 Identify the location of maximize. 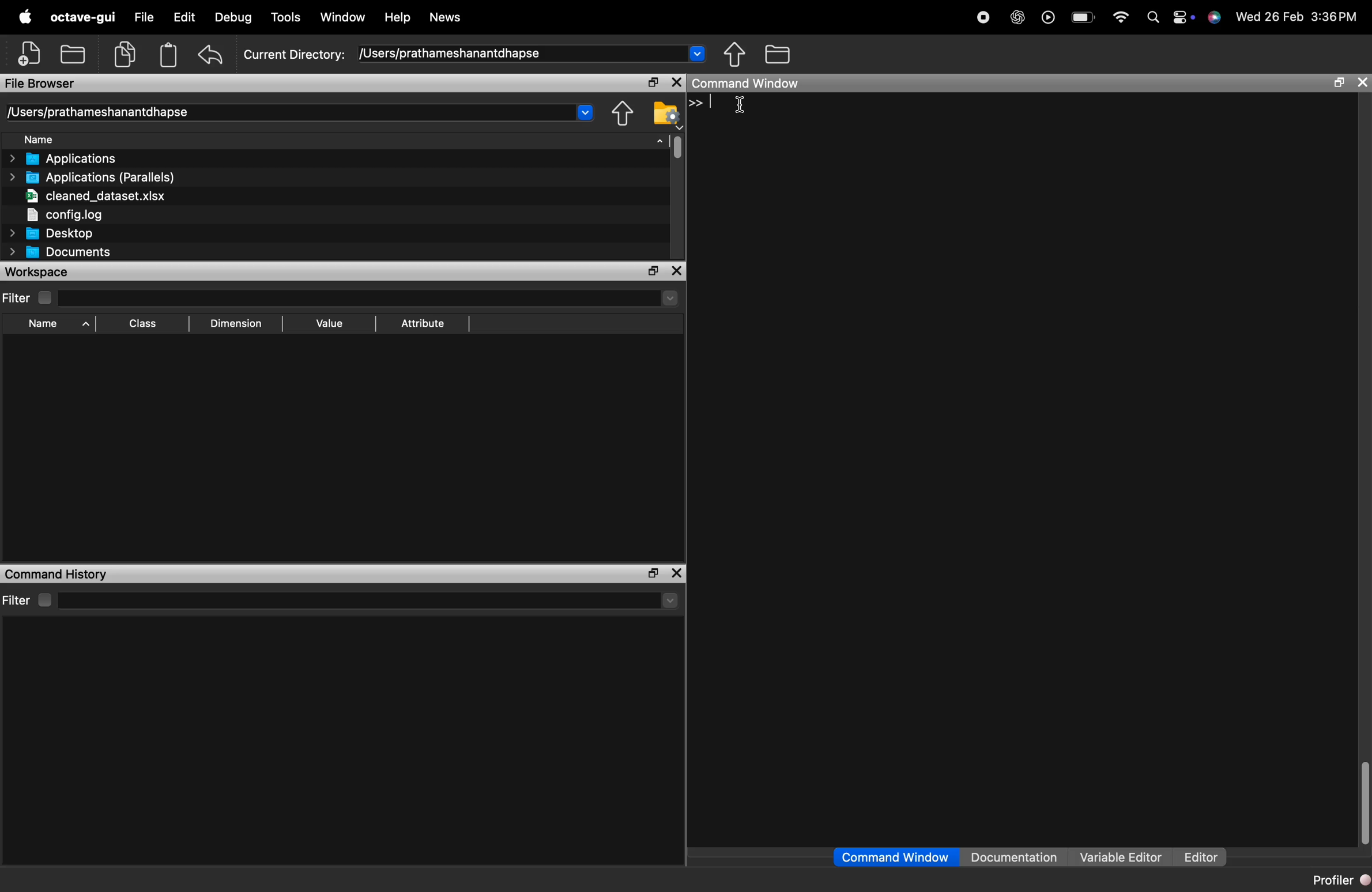
(652, 573).